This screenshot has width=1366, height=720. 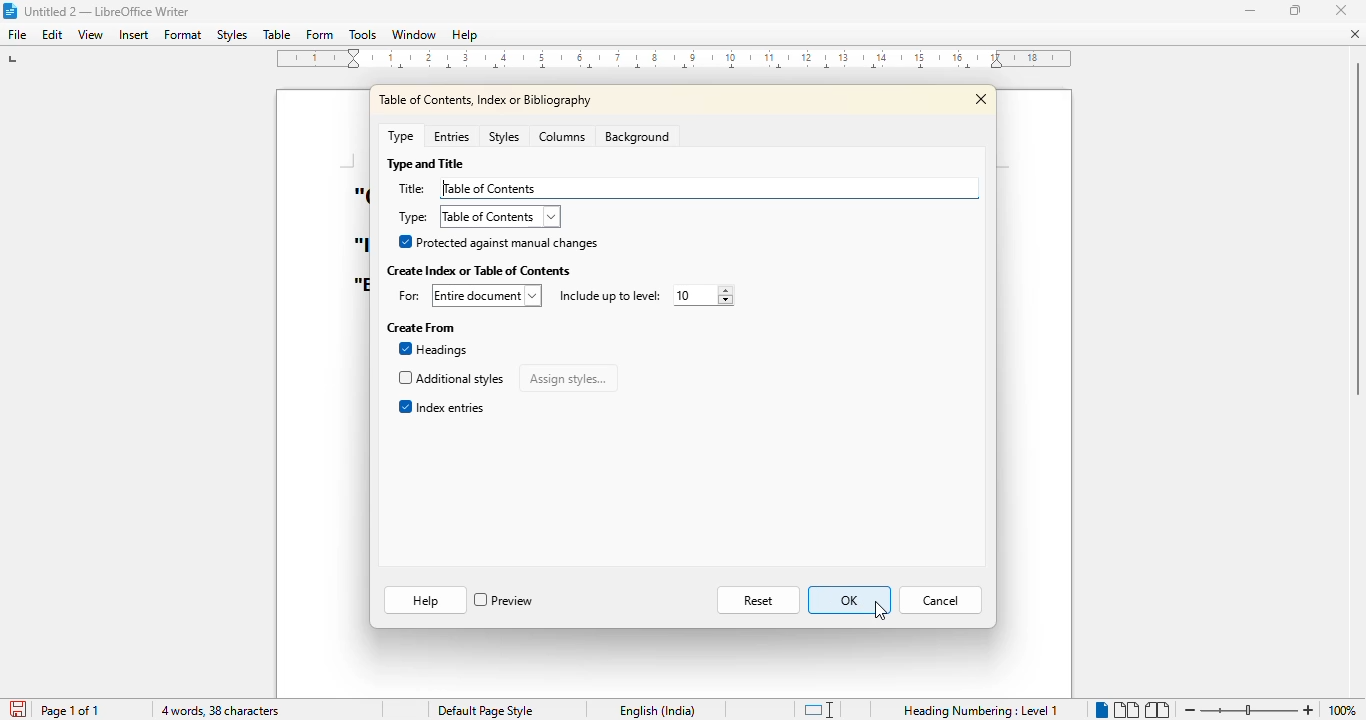 What do you see at coordinates (17, 34) in the screenshot?
I see `file` at bounding box center [17, 34].